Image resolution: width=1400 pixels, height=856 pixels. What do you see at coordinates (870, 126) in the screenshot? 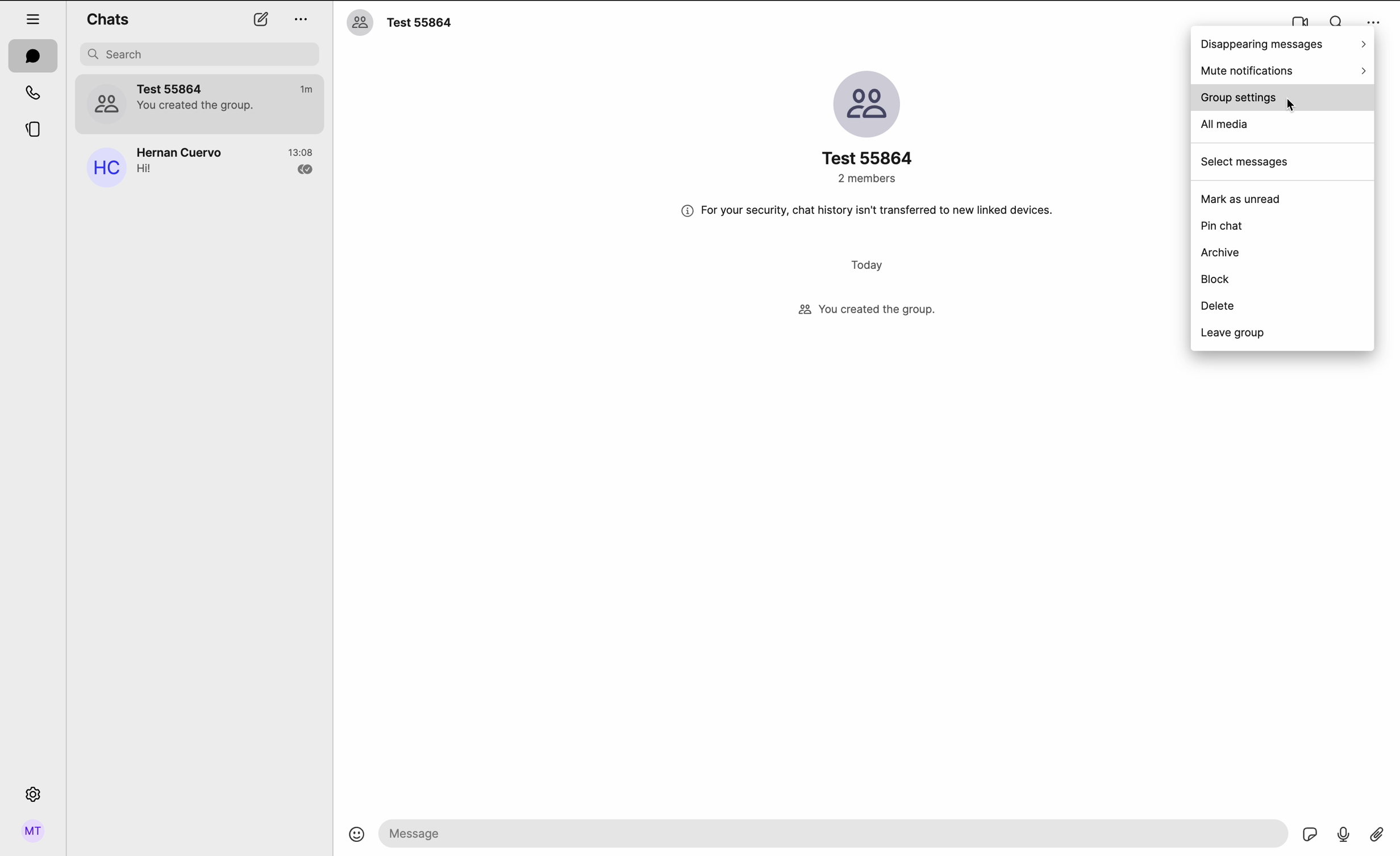
I see `profile group` at bounding box center [870, 126].